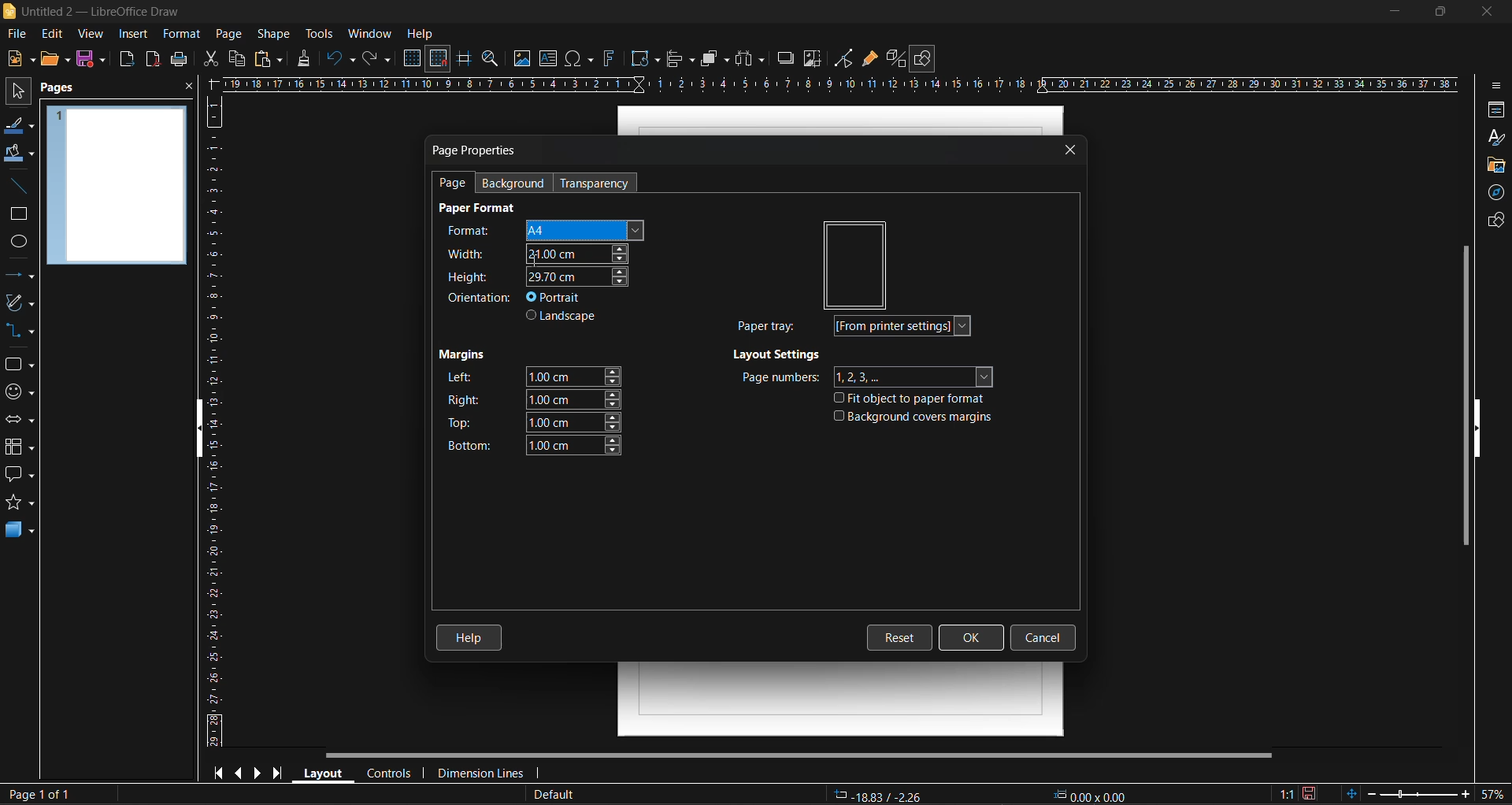  I want to click on page format, so click(481, 208).